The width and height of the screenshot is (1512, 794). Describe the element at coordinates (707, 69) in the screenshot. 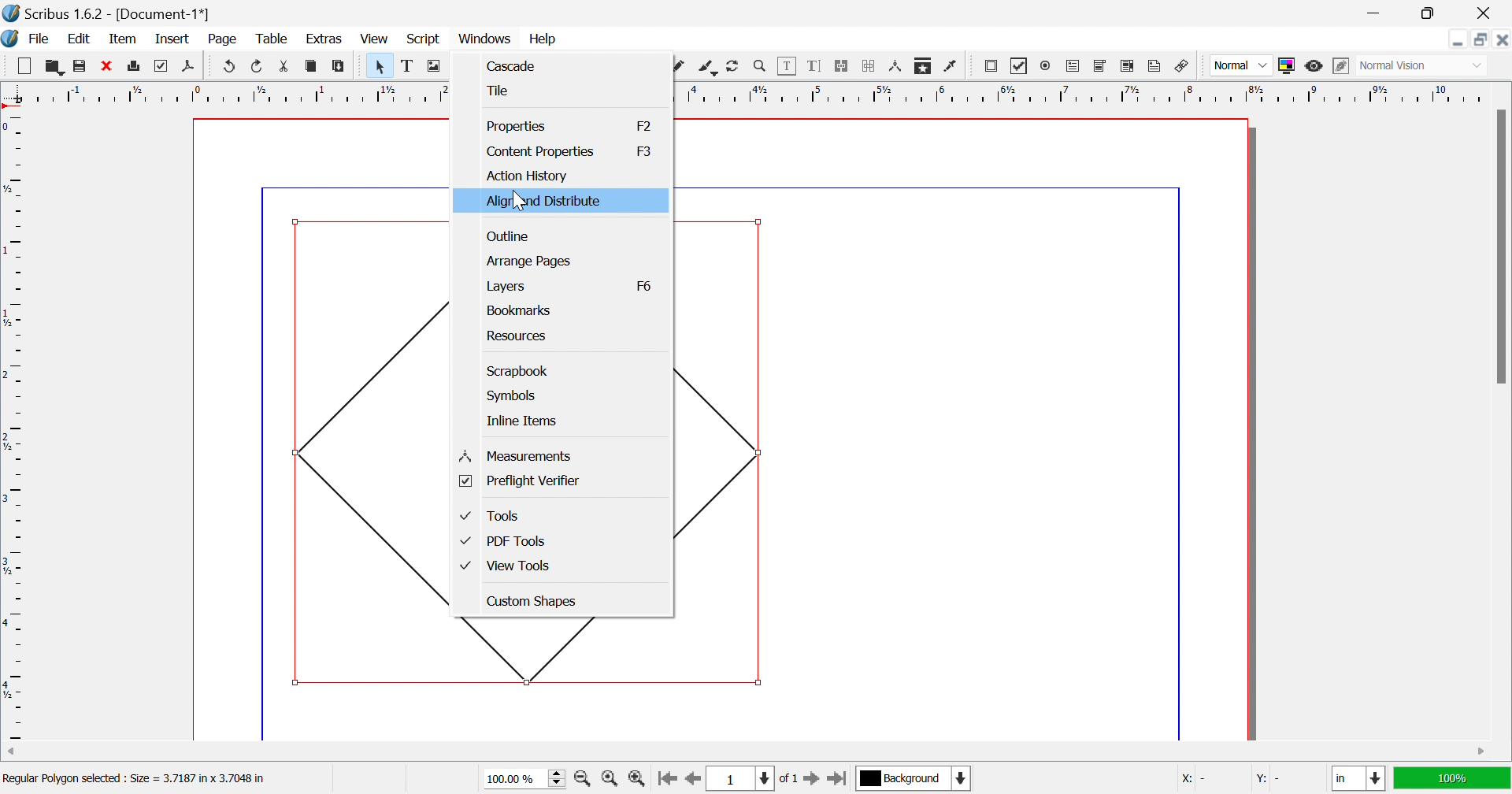

I see `Calligraphic line` at that location.